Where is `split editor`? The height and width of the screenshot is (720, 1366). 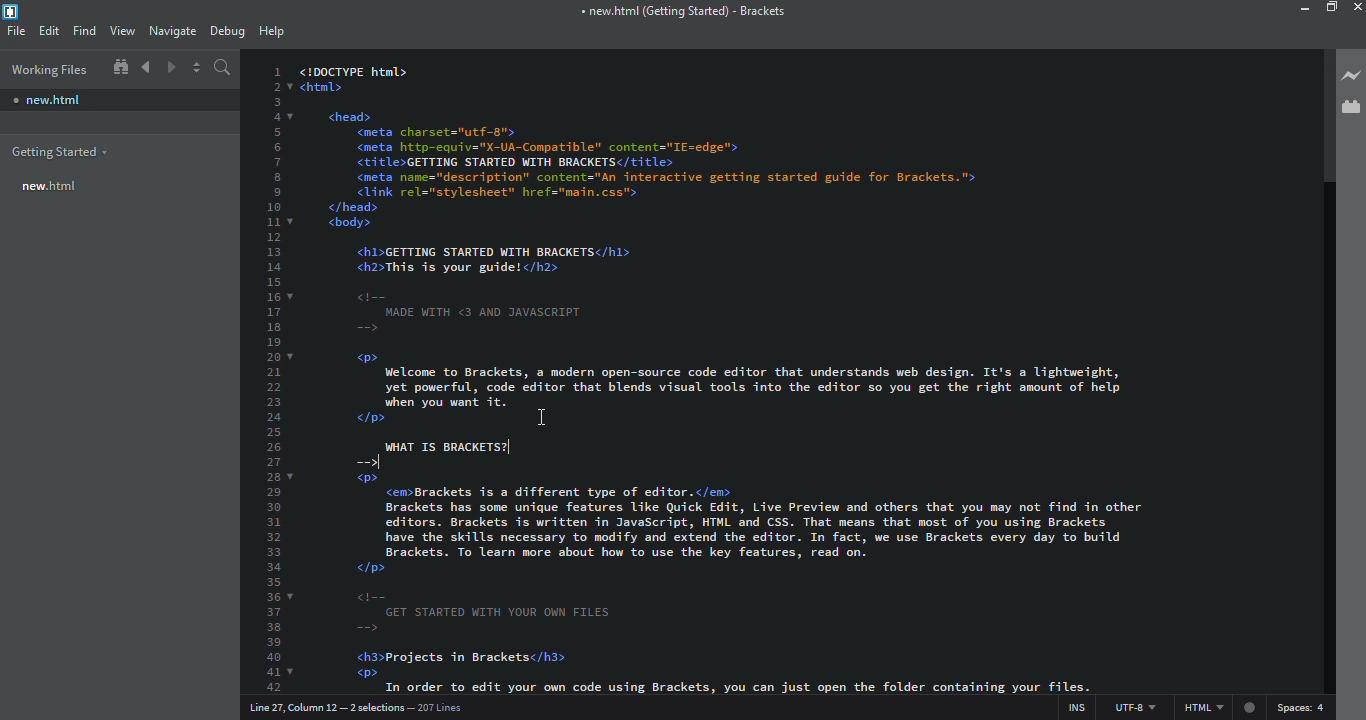 split editor is located at coordinates (196, 68).